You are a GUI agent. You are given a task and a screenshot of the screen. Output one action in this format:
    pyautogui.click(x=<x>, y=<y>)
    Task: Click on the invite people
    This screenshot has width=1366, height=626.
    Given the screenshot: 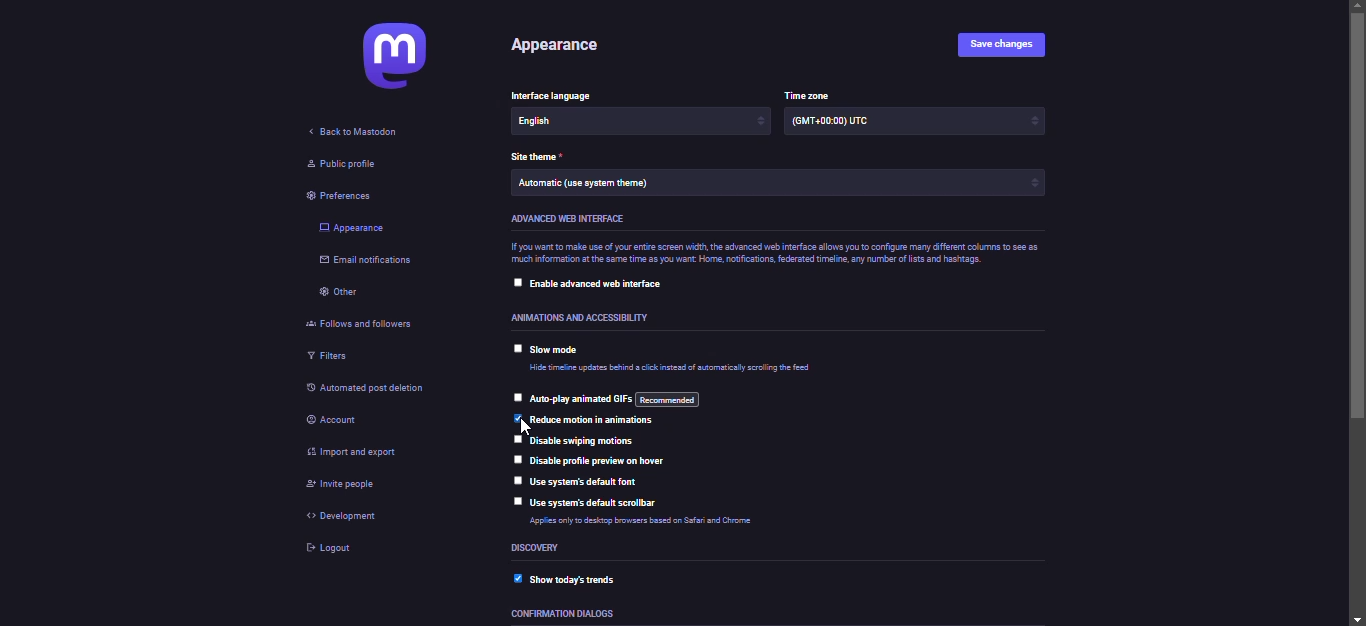 What is the action you would take?
    pyautogui.click(x=336, y=487)
    